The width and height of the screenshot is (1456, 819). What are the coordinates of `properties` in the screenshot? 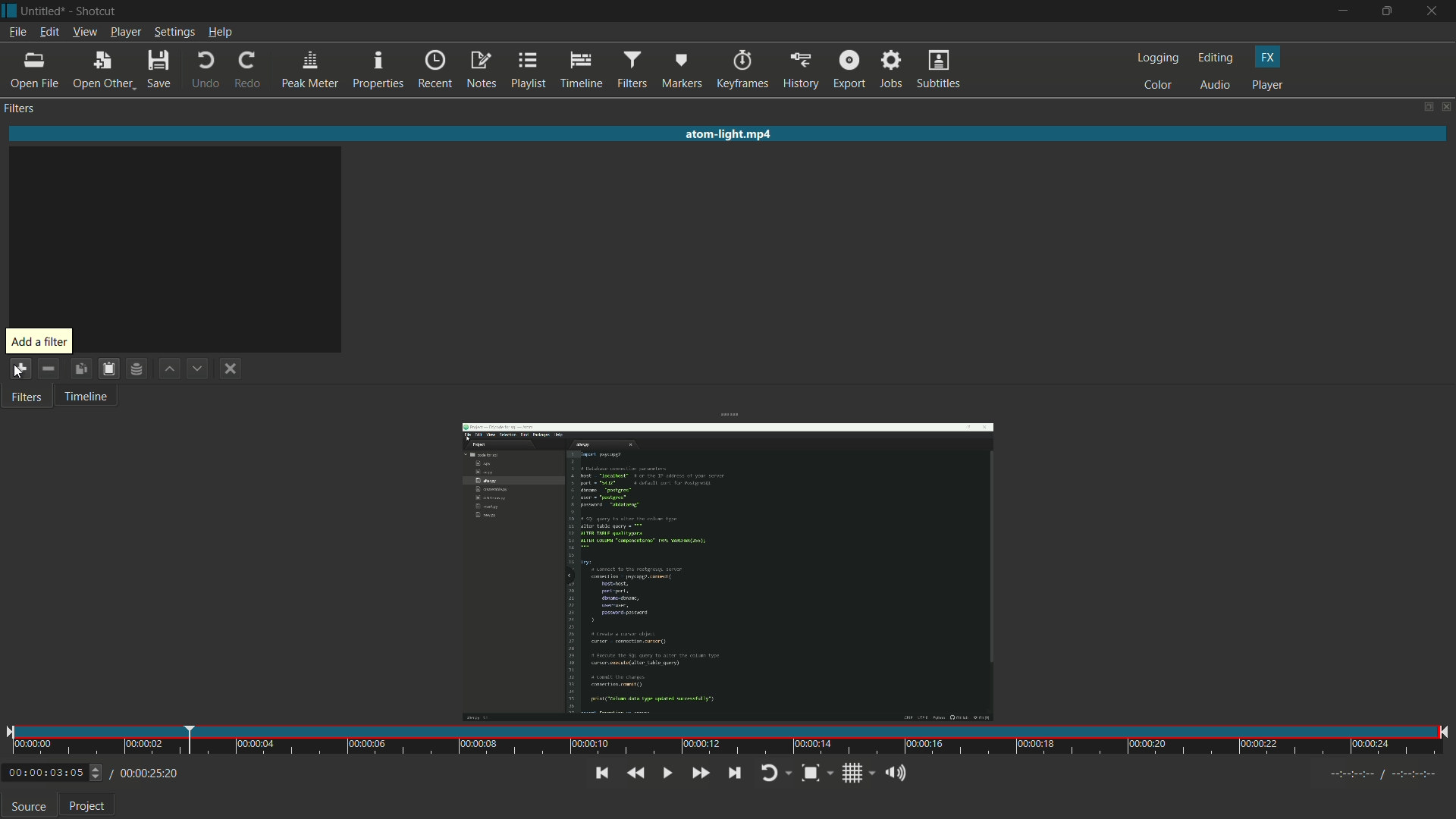 It's located at (378, 70).